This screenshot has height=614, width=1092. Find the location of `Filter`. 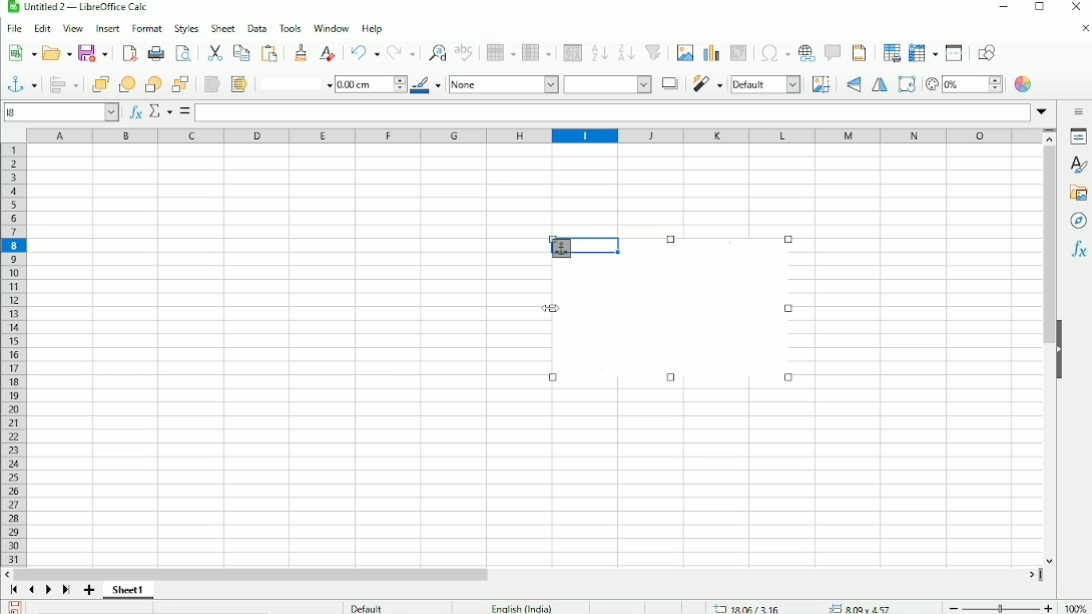

Filter is located at coordinates (707, 84).